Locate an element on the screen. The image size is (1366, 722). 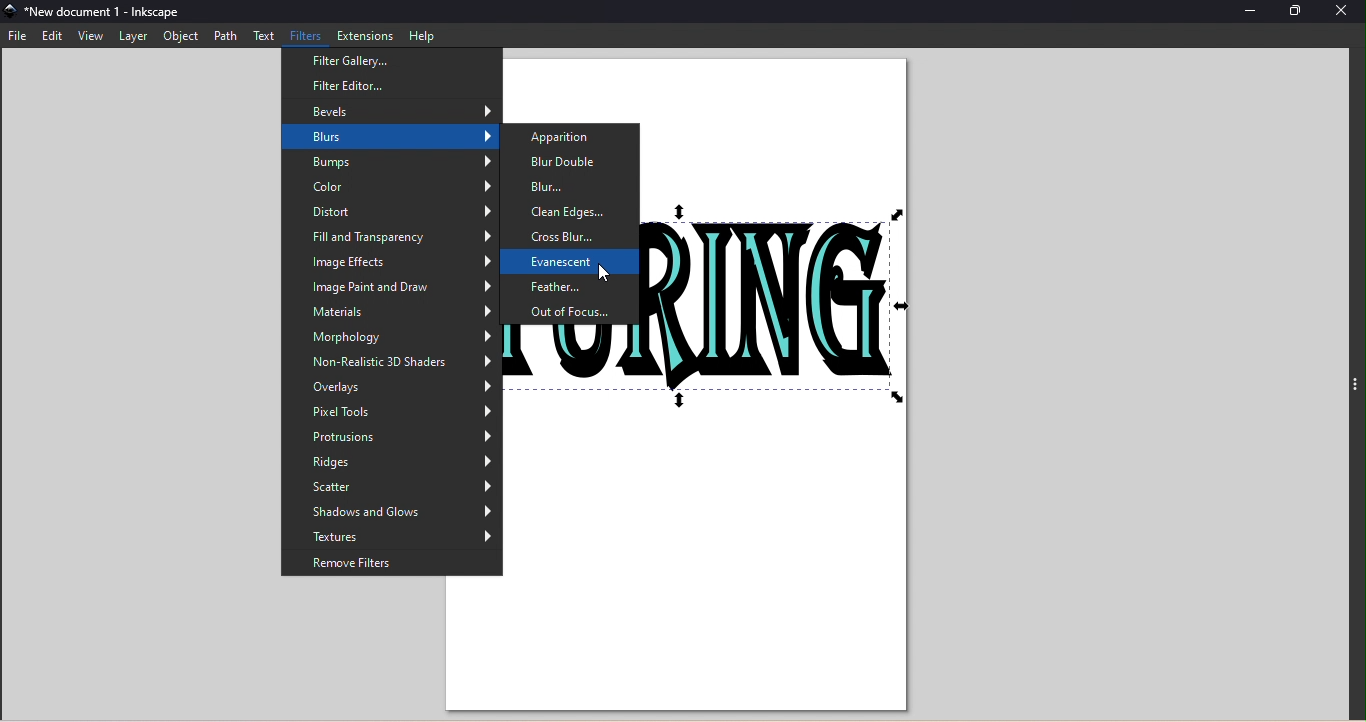
Overlays is located at coordinates (389, 386).